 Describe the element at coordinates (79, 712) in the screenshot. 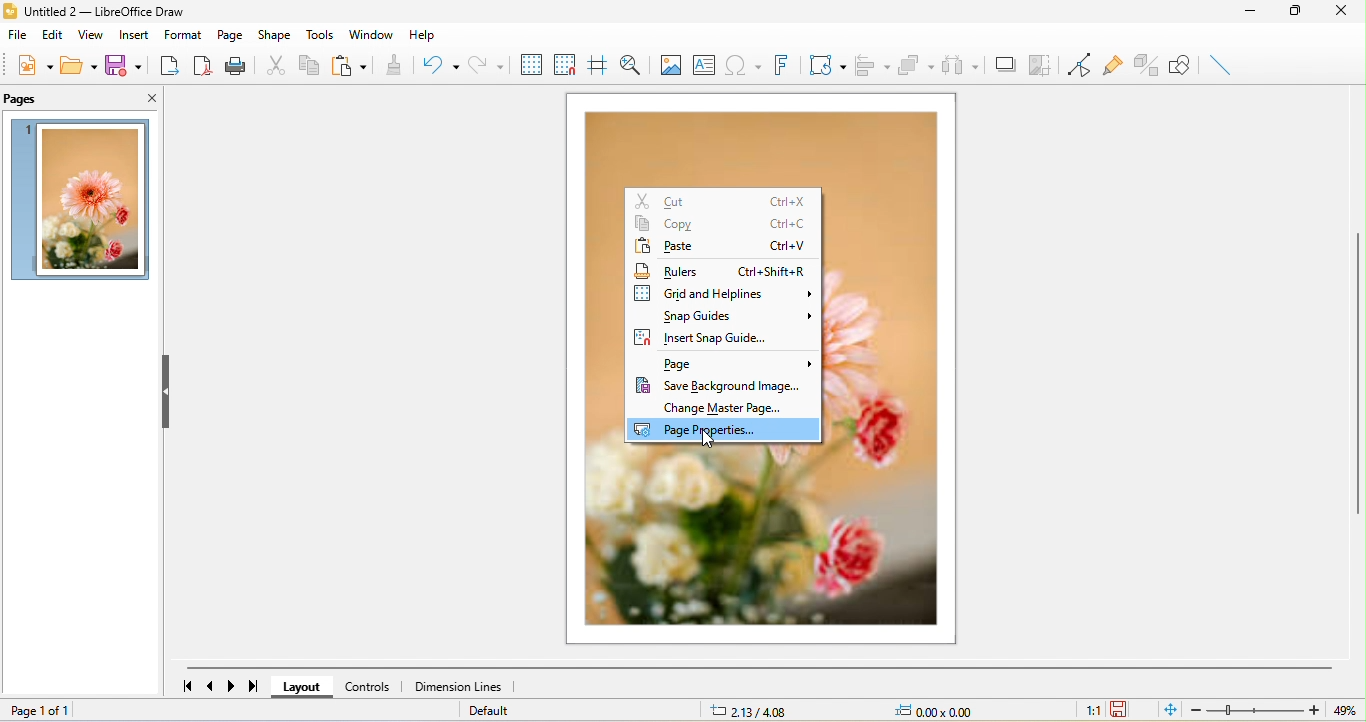

I see `page 1 of 1` at that location.